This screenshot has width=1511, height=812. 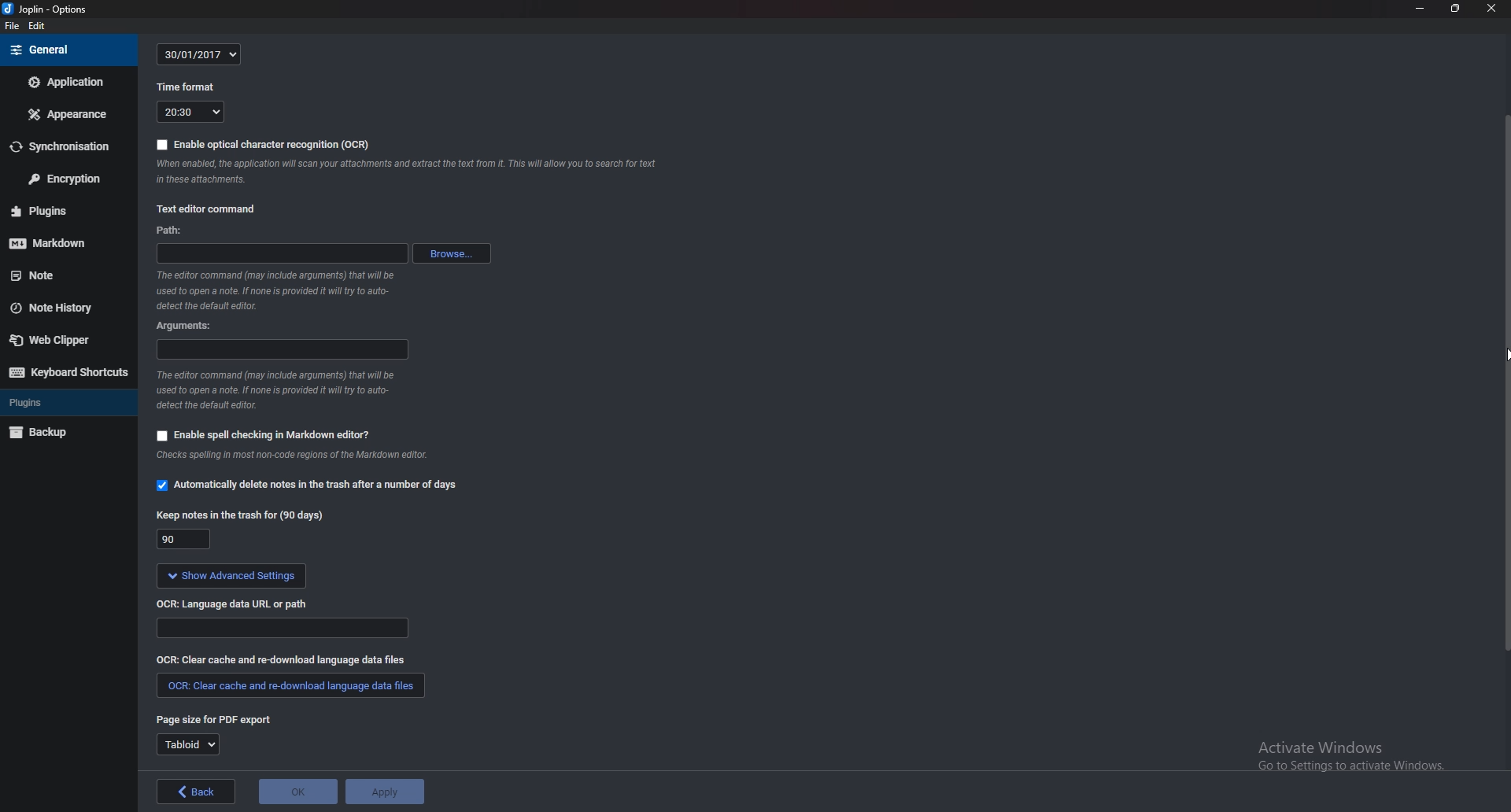 I want to click on info, so click(x=283, y=391).